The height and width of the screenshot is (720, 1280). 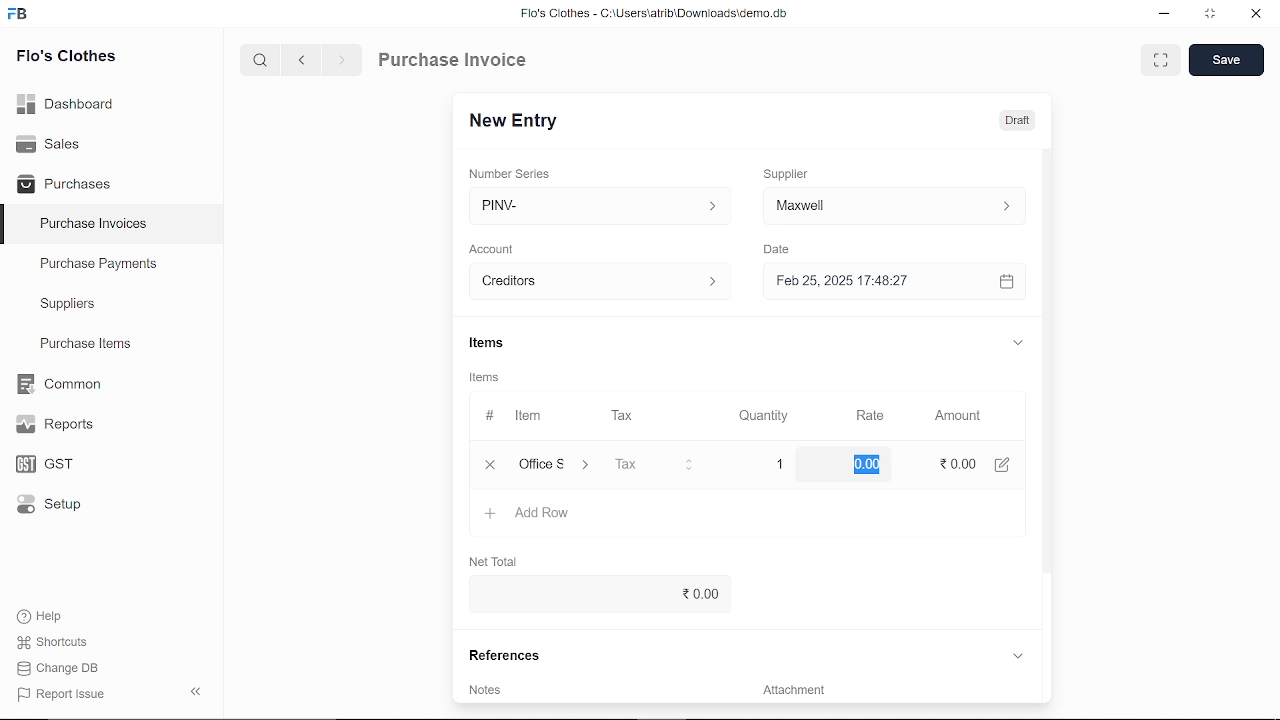 What do you see at coordinates (66, 57) in the screenshot?
I see `Flo's Clothes` at bounding box center [66, 57].